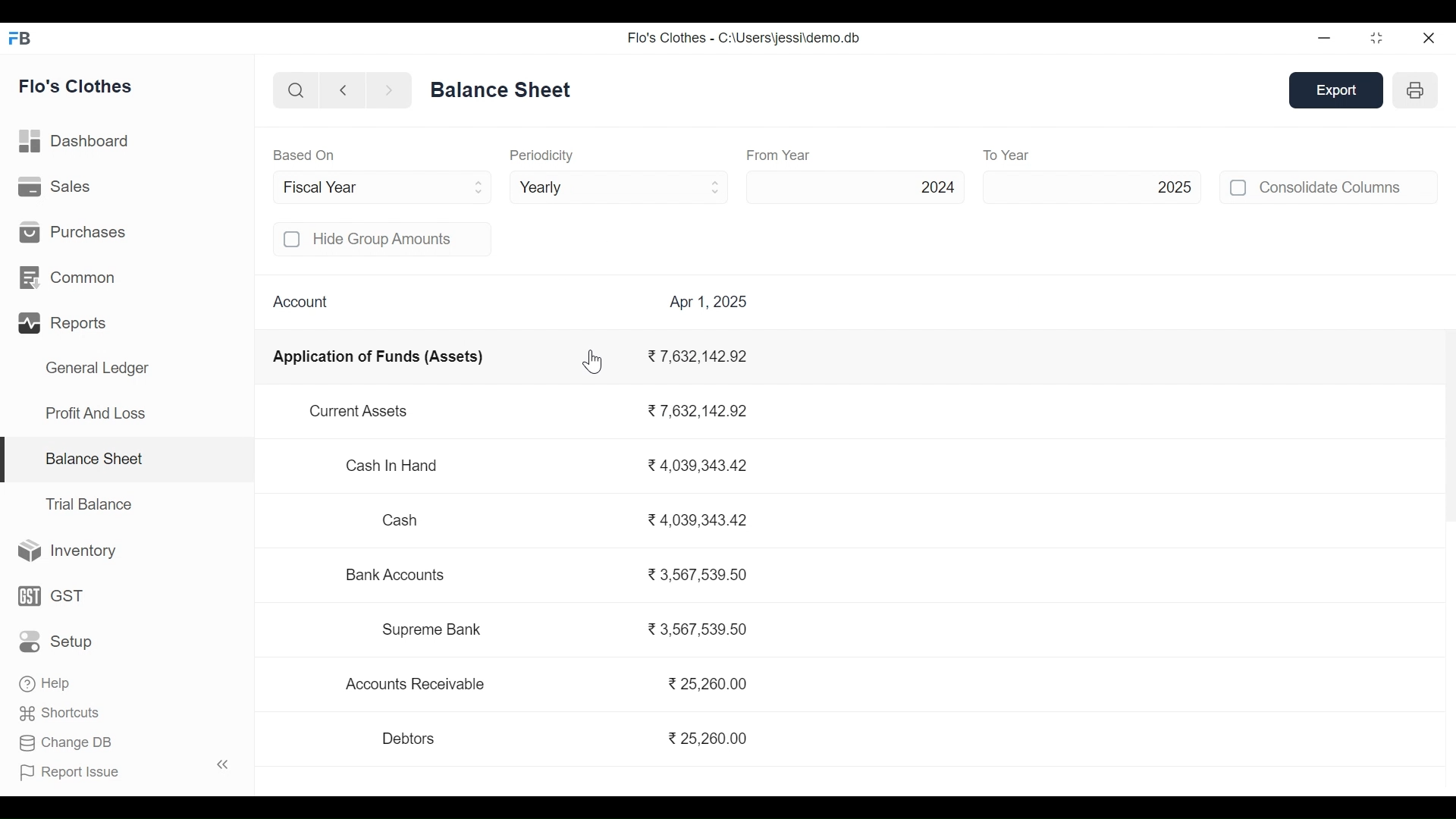  What do you see at coordinates (52, 595) in the screenshot?
I see `gst` at bounding box center [52, 595].